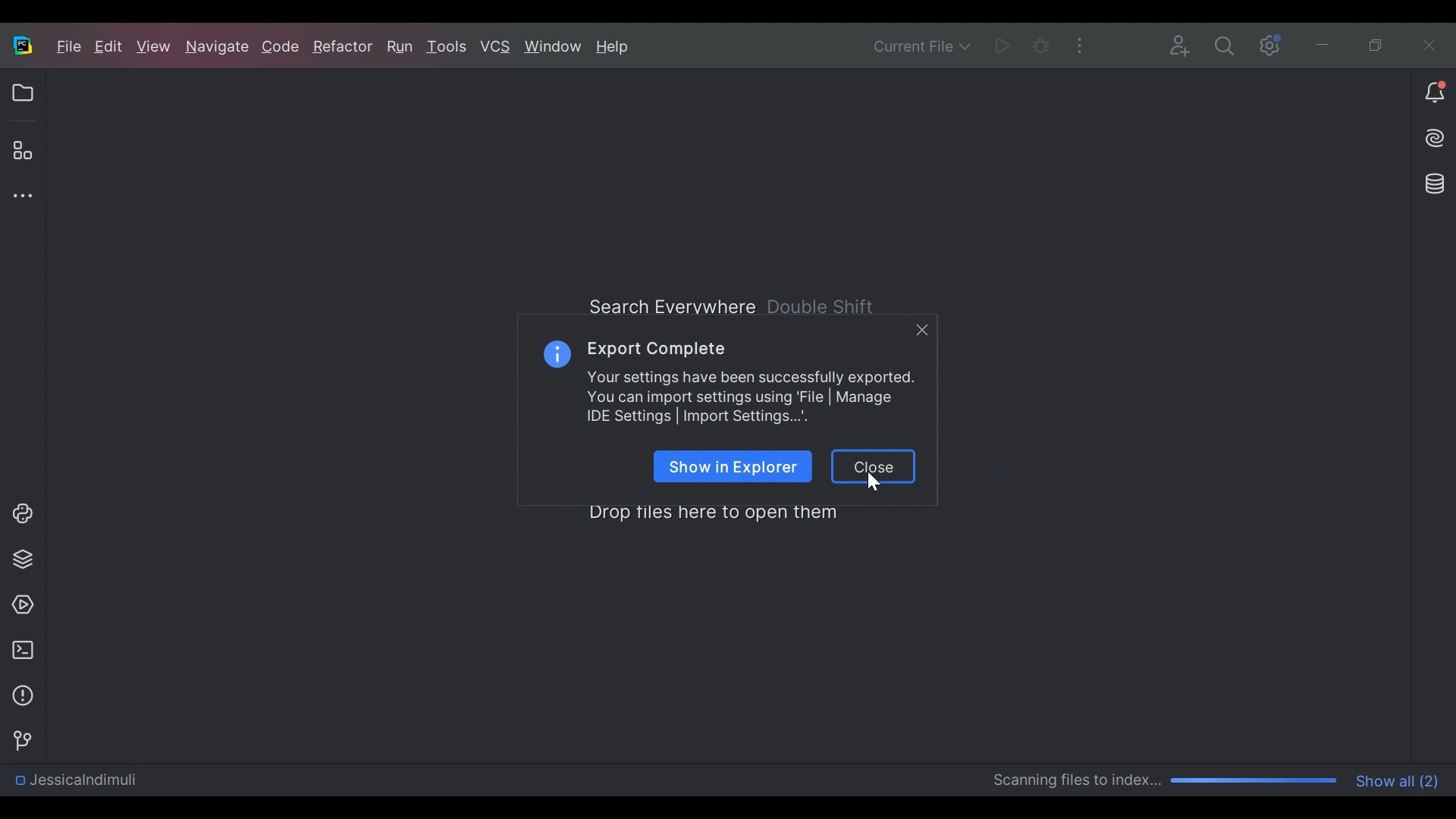 Image resolution: width=1456 pixels, height=819 pixels. What do you see at coordinates (1001, 44) in the screenshot?
I see `Run` at bounding box center [1001, 44].